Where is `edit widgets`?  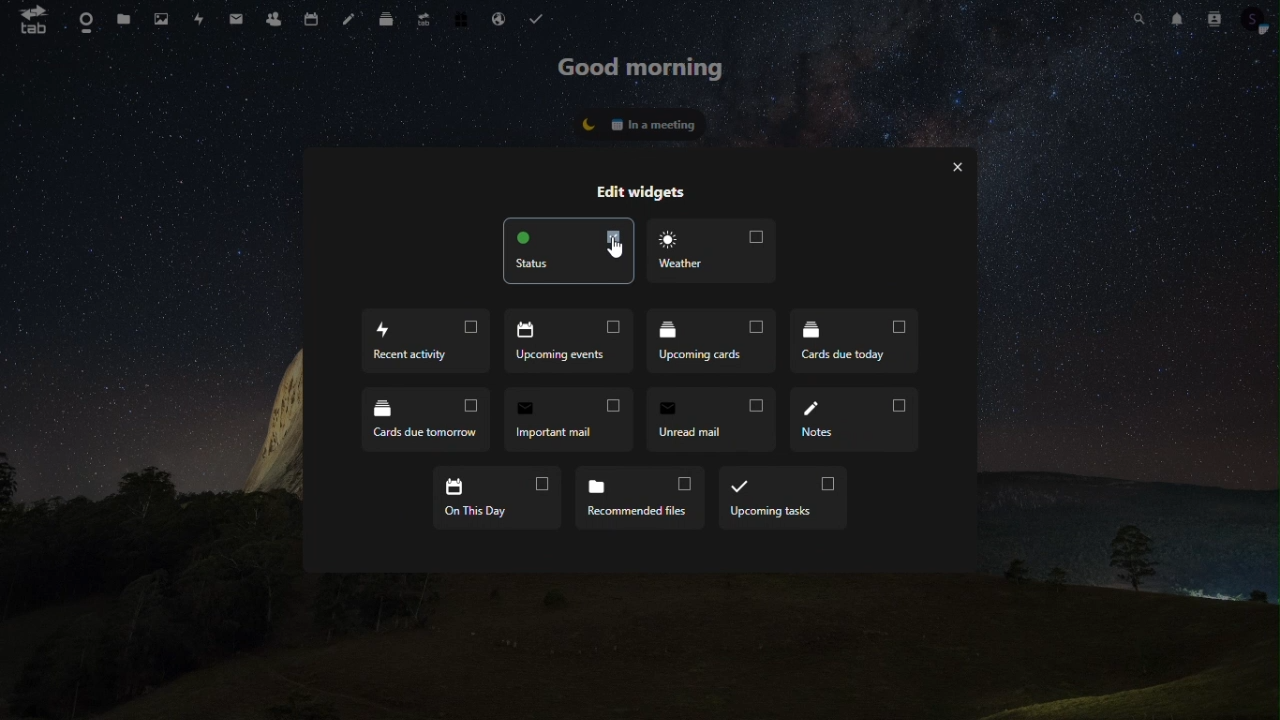
edit widgets is located at coordinates (646, 190).